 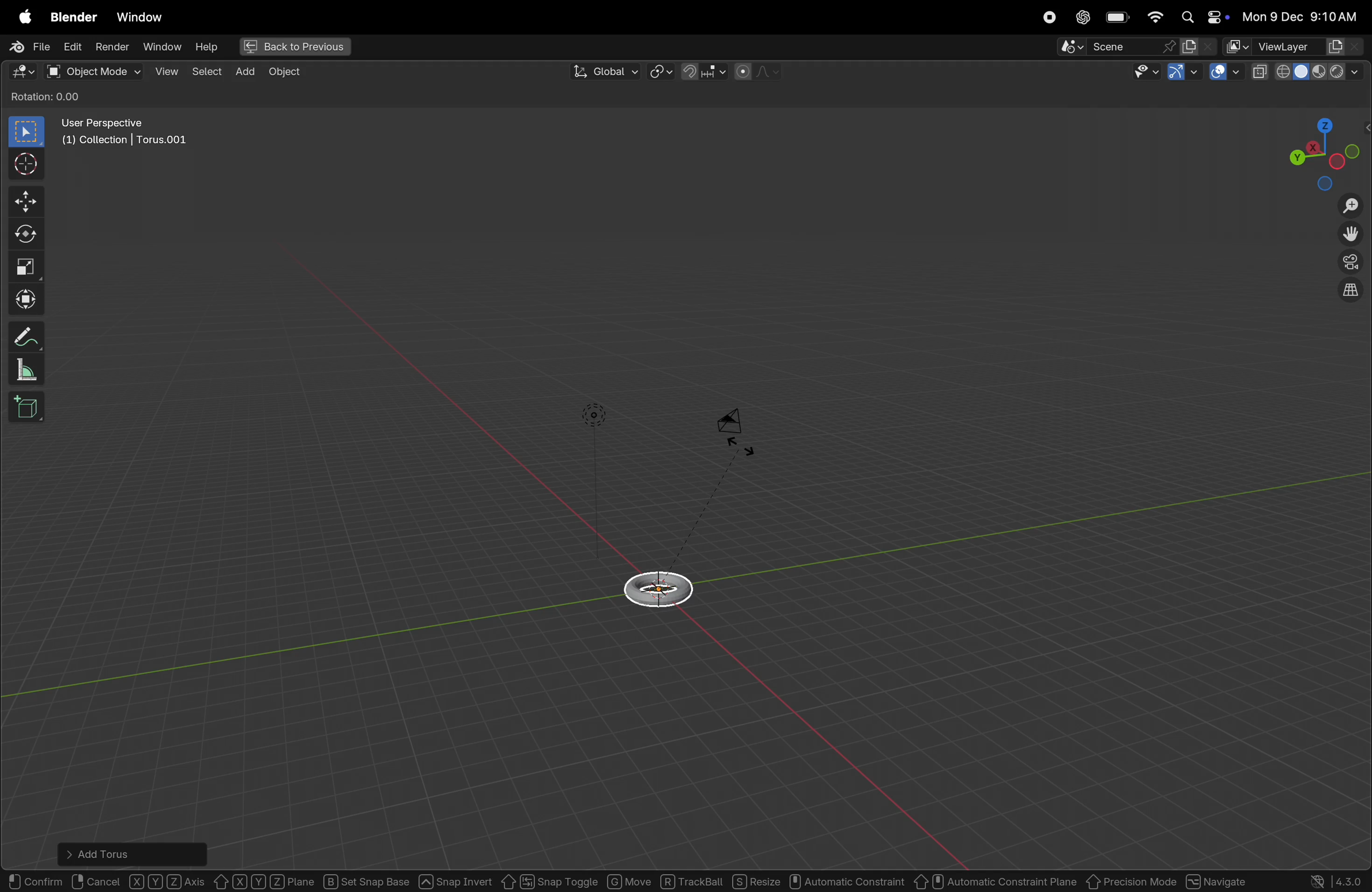 I want to click on rotate , so click(x=29, y=232).